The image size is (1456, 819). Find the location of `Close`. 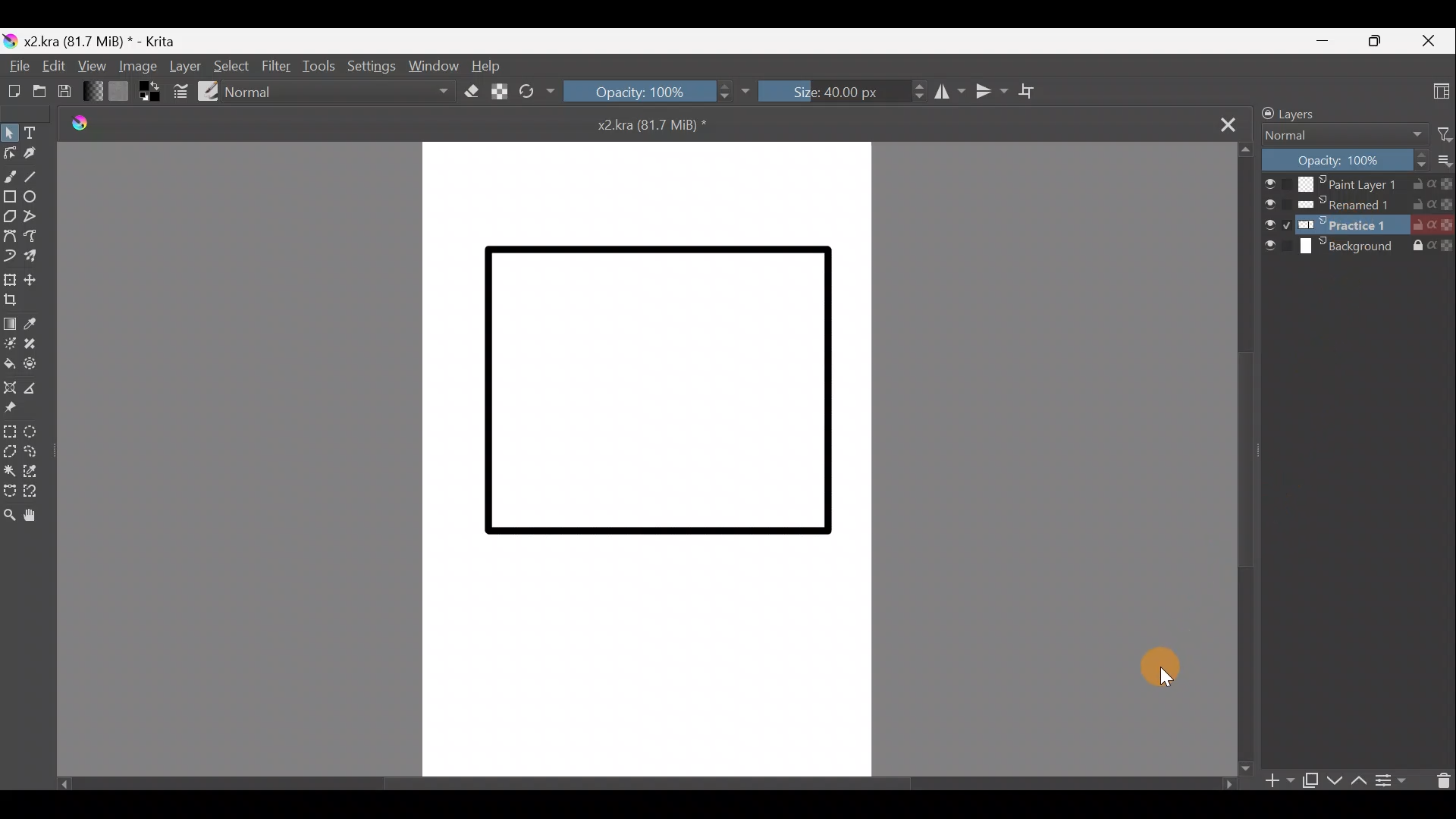

Close is located at coordinates (1429, 42).